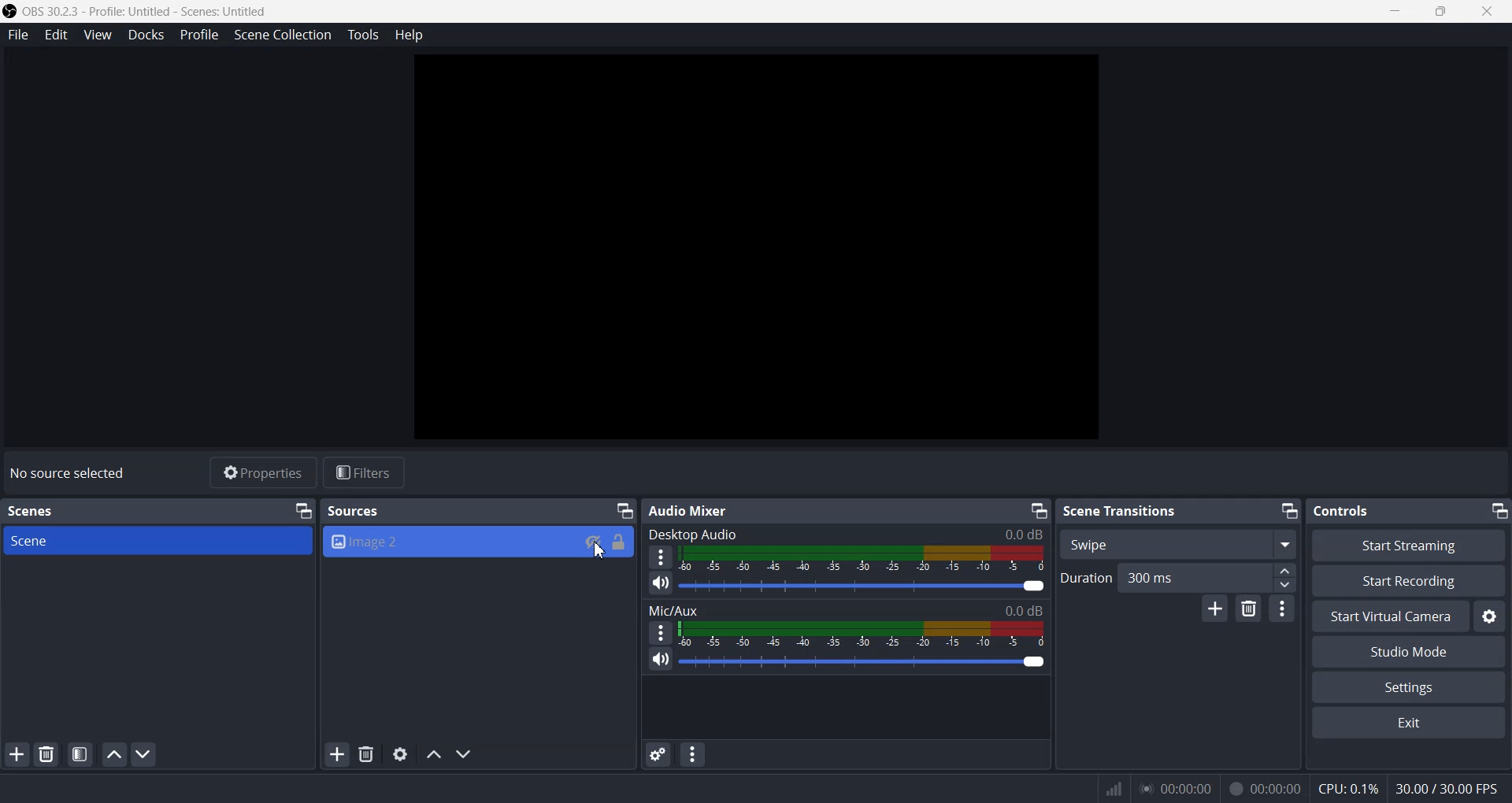 This screenshot has height=803, width=1512. What do you see at coordinates (1151, 577) in the screenshot?
I see `Duration 300ms` at bounding box center [1151, 577].